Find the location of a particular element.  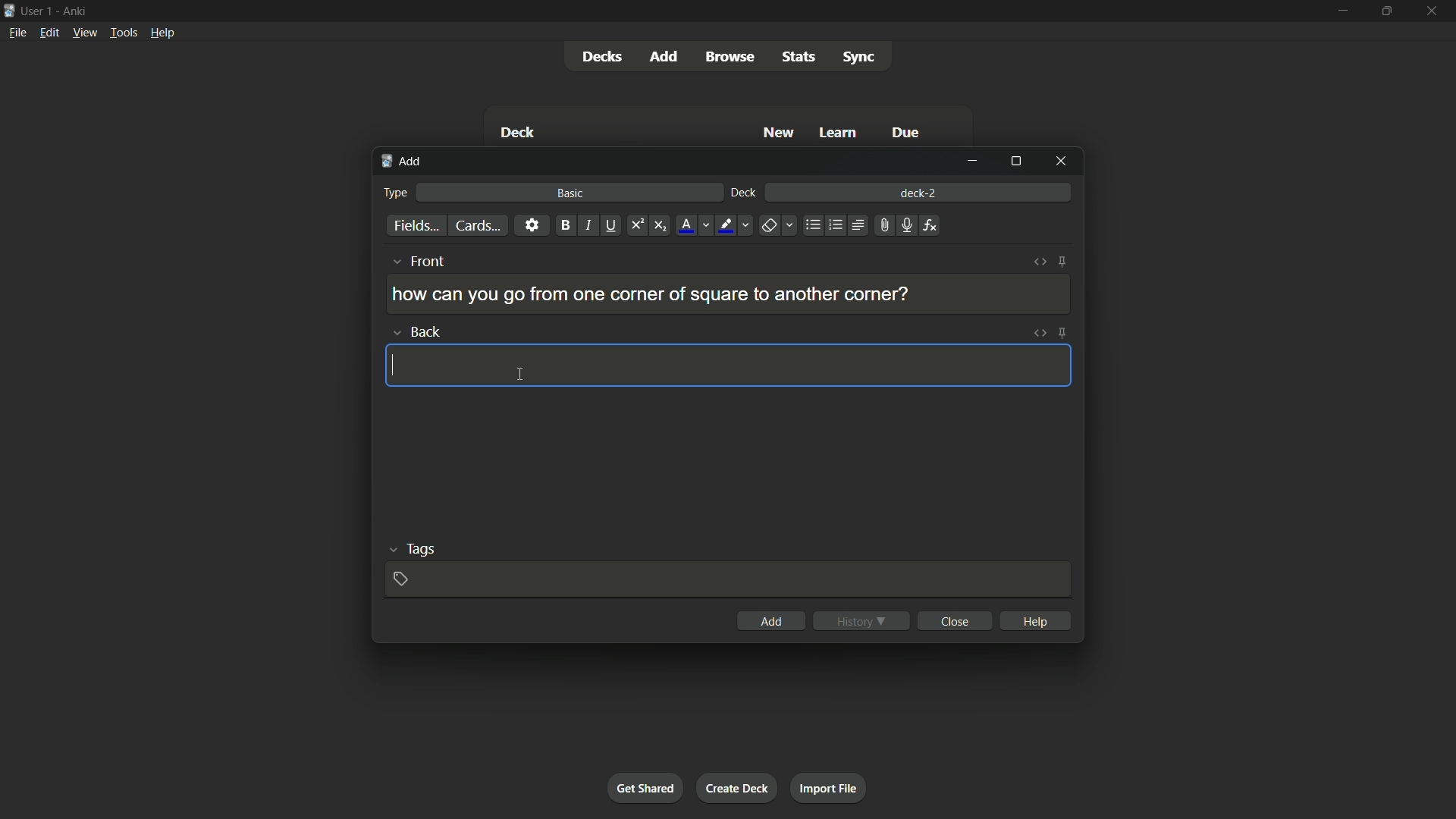

fields is located at coordinates (417, 226).